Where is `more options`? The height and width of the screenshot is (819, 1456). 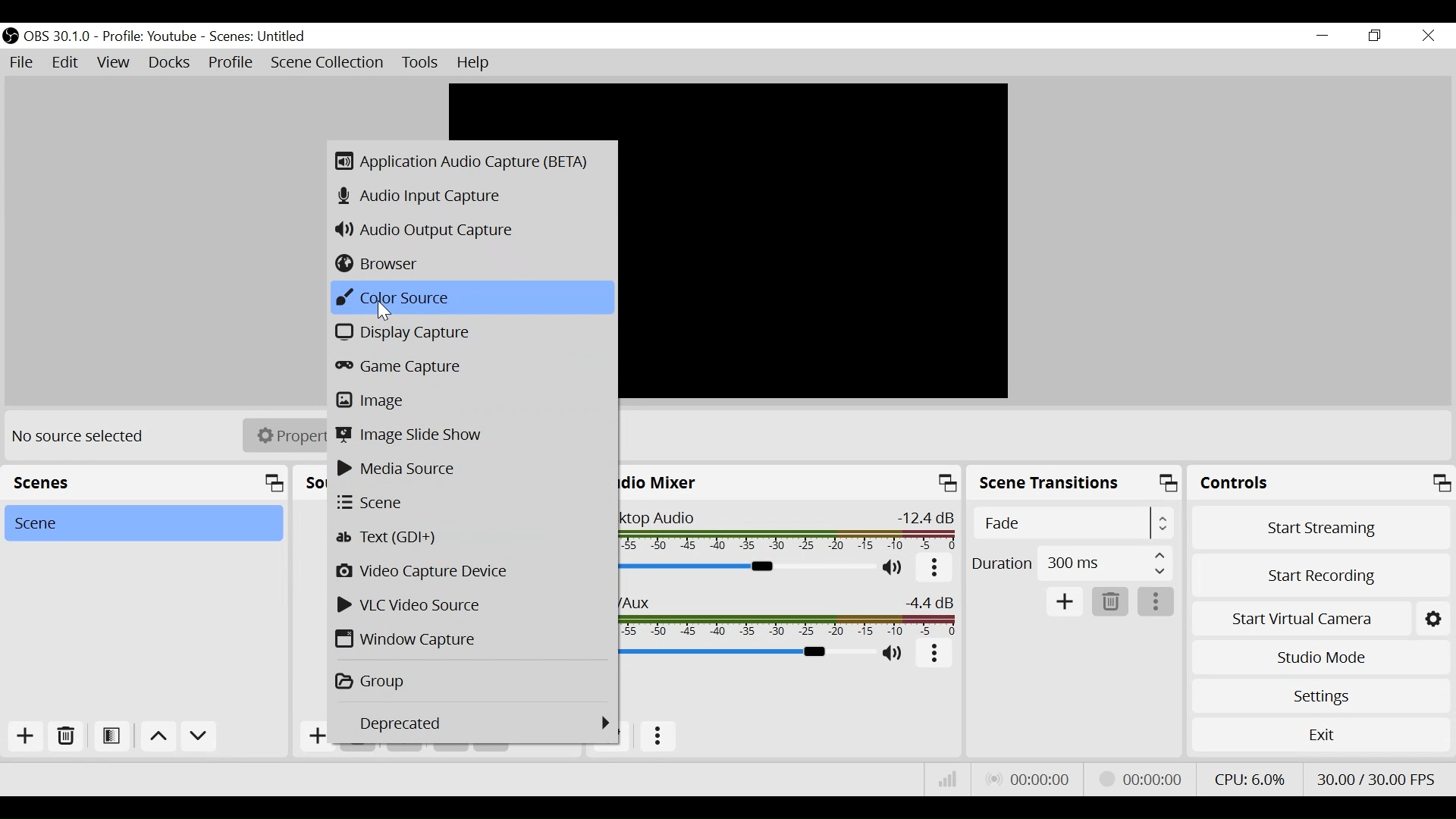 more options is located at coordinates (935, 656).